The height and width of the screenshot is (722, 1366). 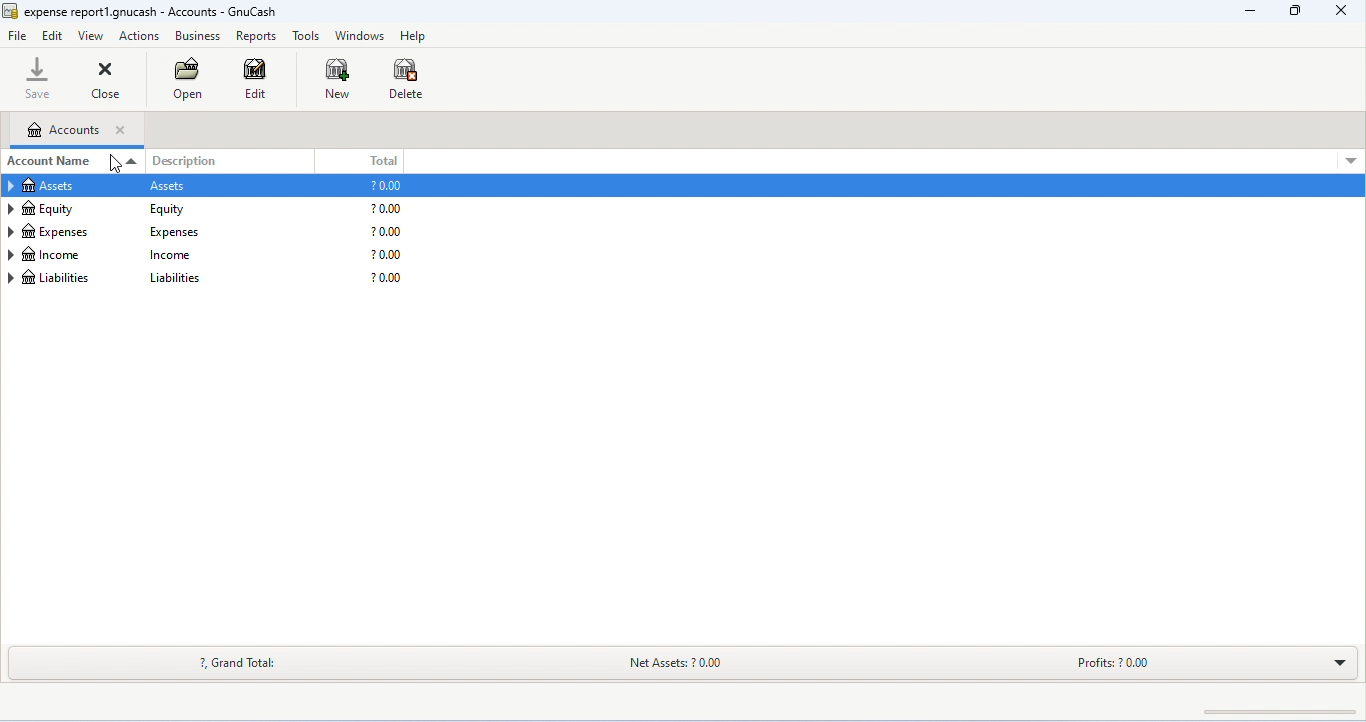 I want to click on income, so click(x=56, y=255).